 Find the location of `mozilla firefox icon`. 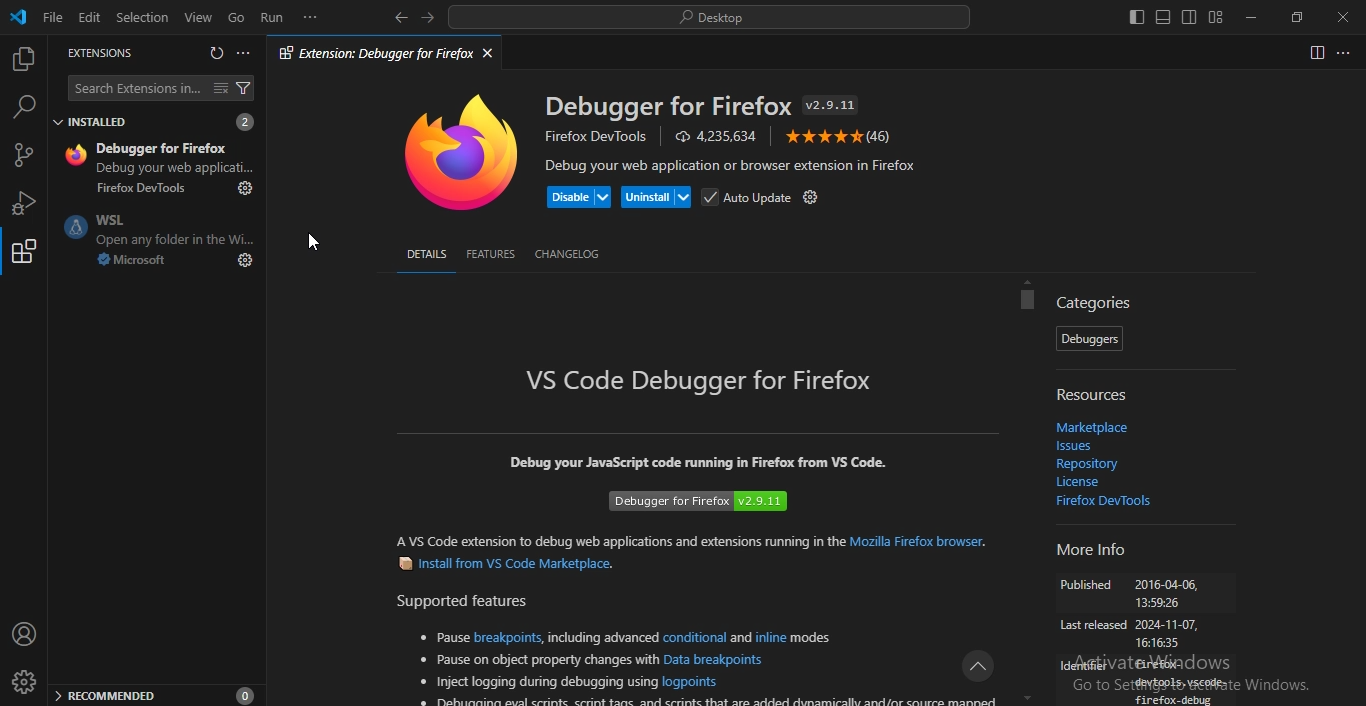

mozilla firefox icon is located at coordinates (461, 156).